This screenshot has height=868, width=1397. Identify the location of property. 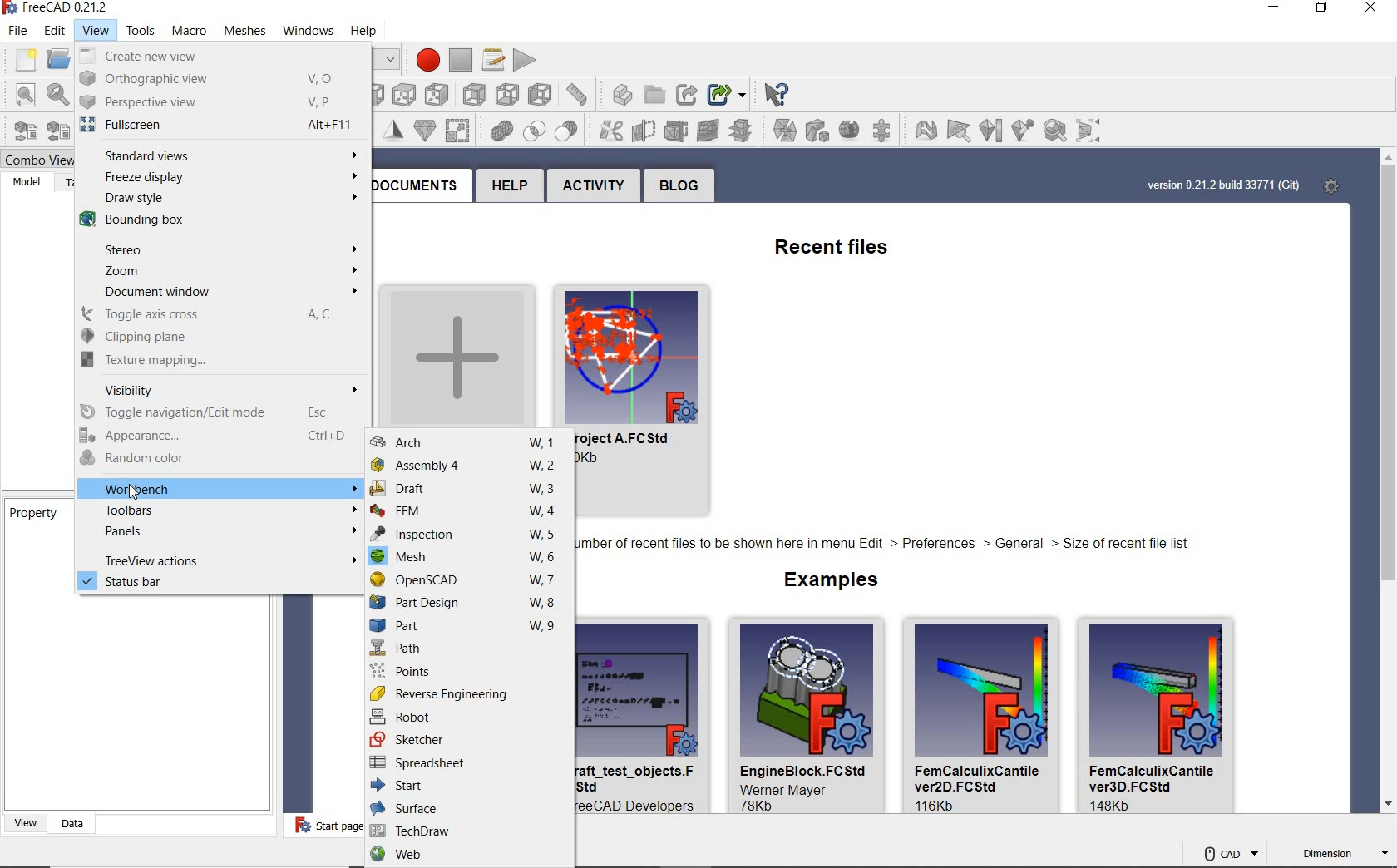
(33, 515).